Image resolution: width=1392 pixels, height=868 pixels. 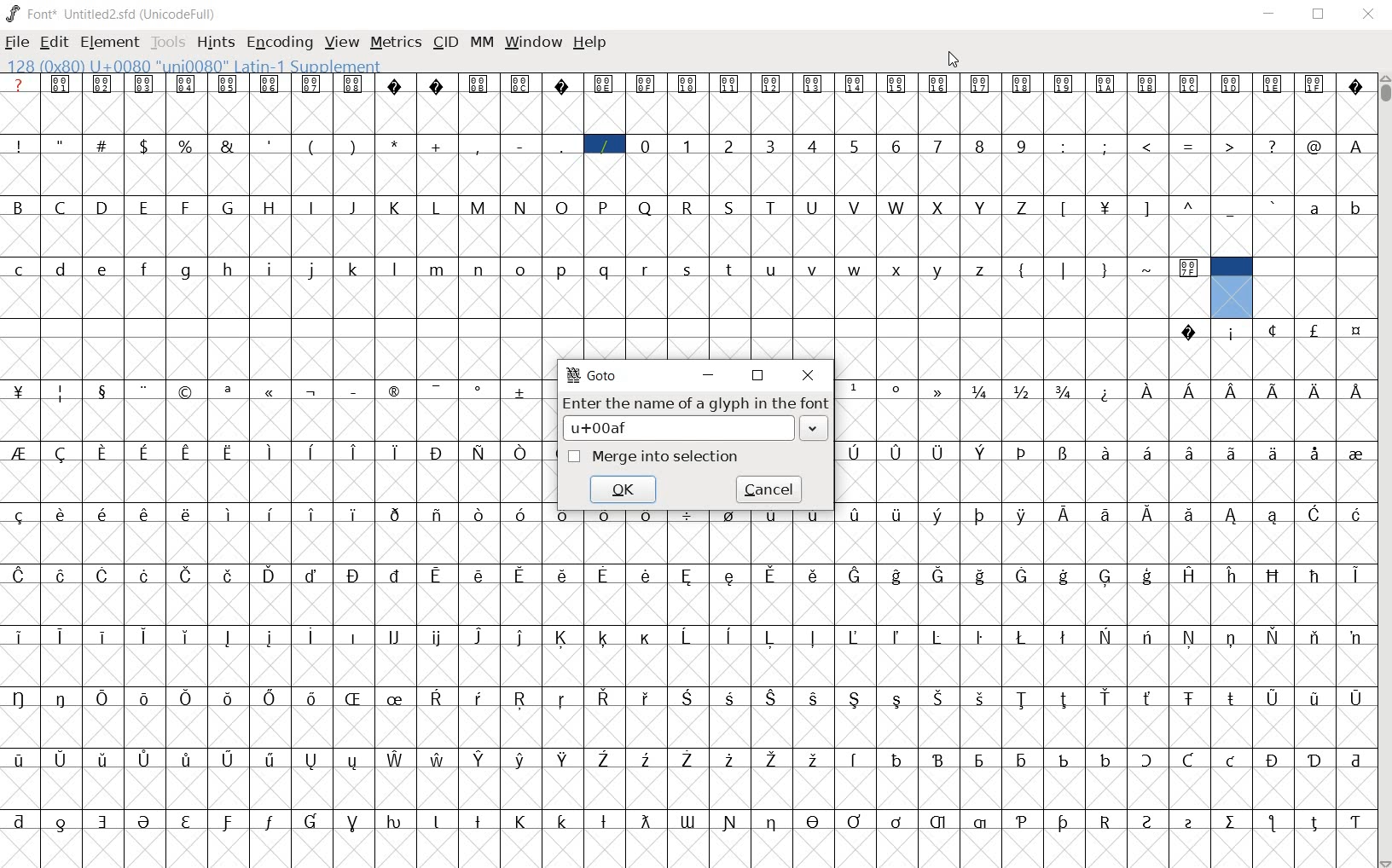 I want to click on Symbol, so click(x=940, y=697).